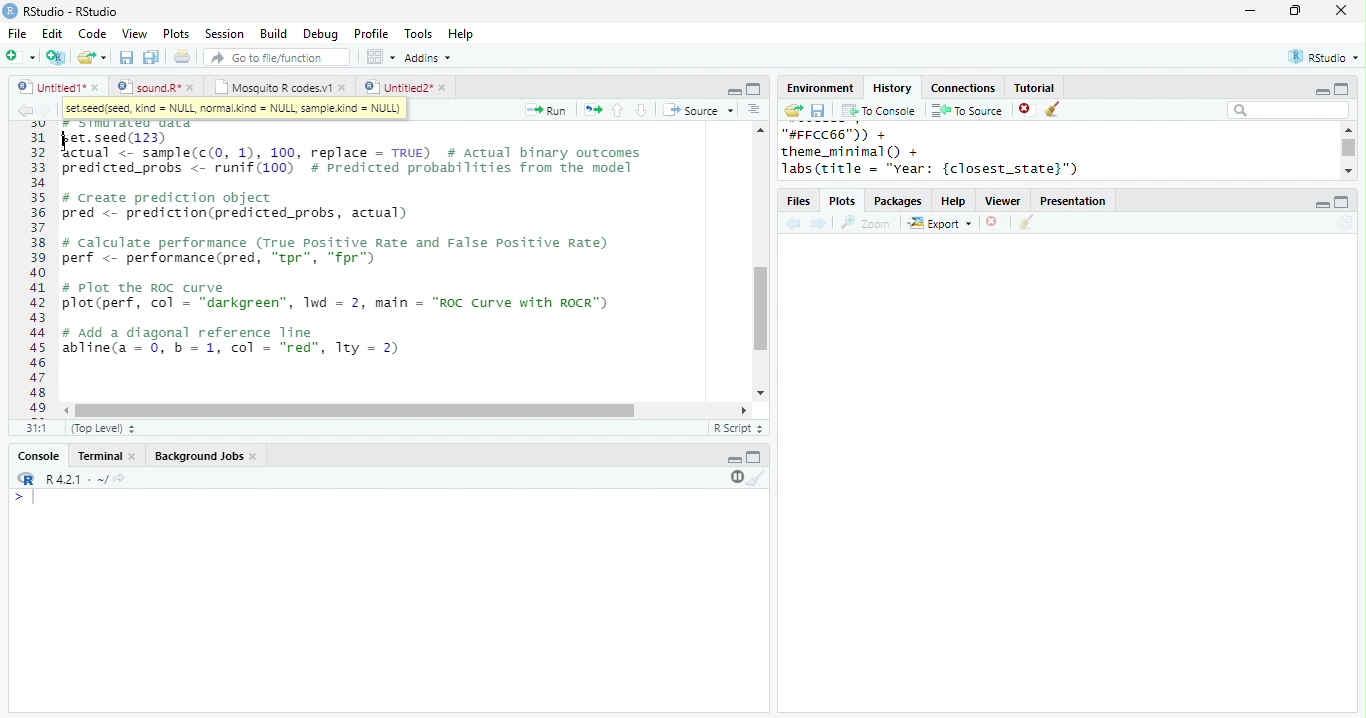 This screenshot has height=718, width=1366. What do you see at coordinates (740, 410) in the screenshot?
I see `scroll right` at bounding box center [740, 410].